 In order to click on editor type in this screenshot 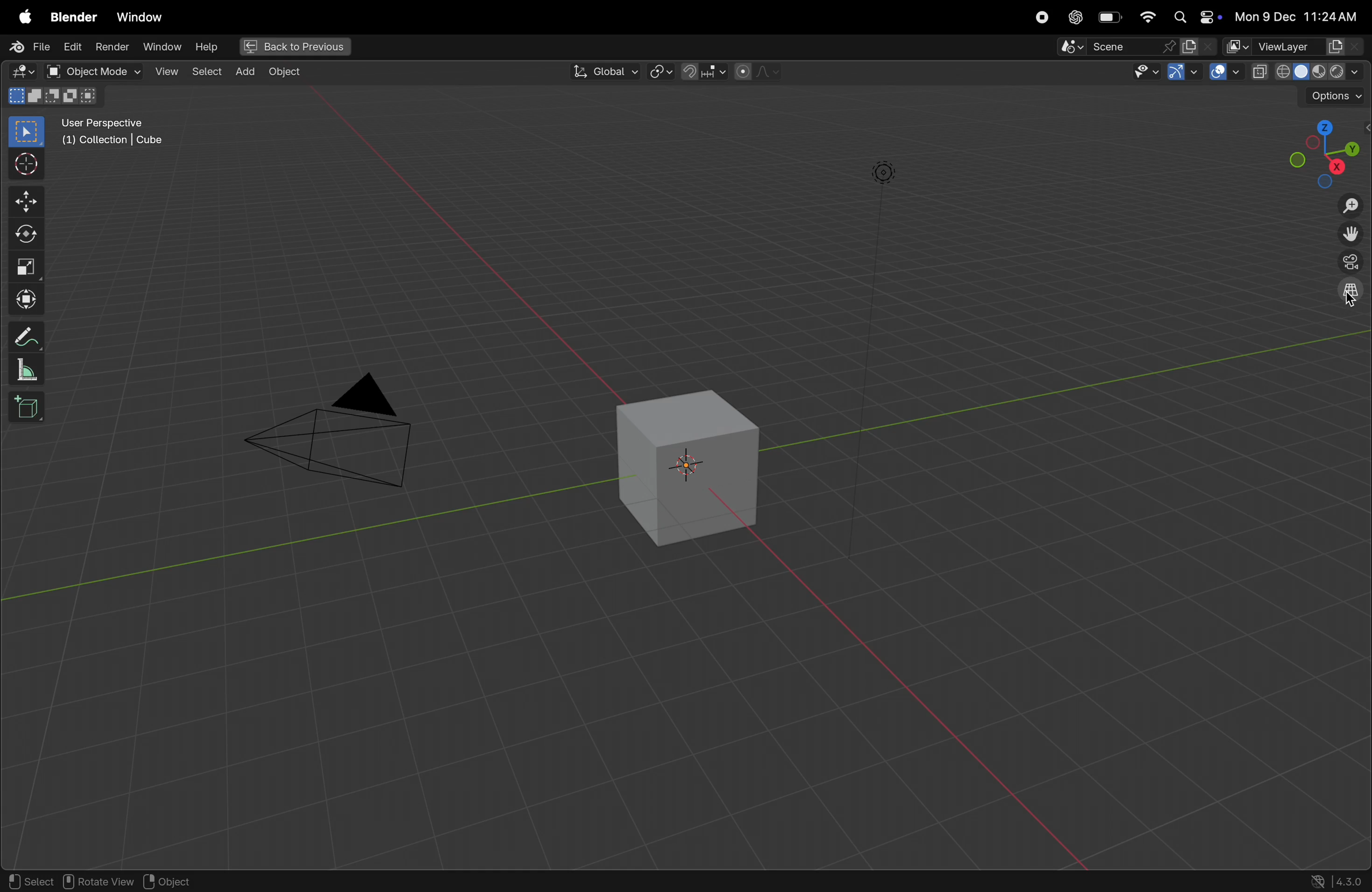, I will do `click(22, 72)`.